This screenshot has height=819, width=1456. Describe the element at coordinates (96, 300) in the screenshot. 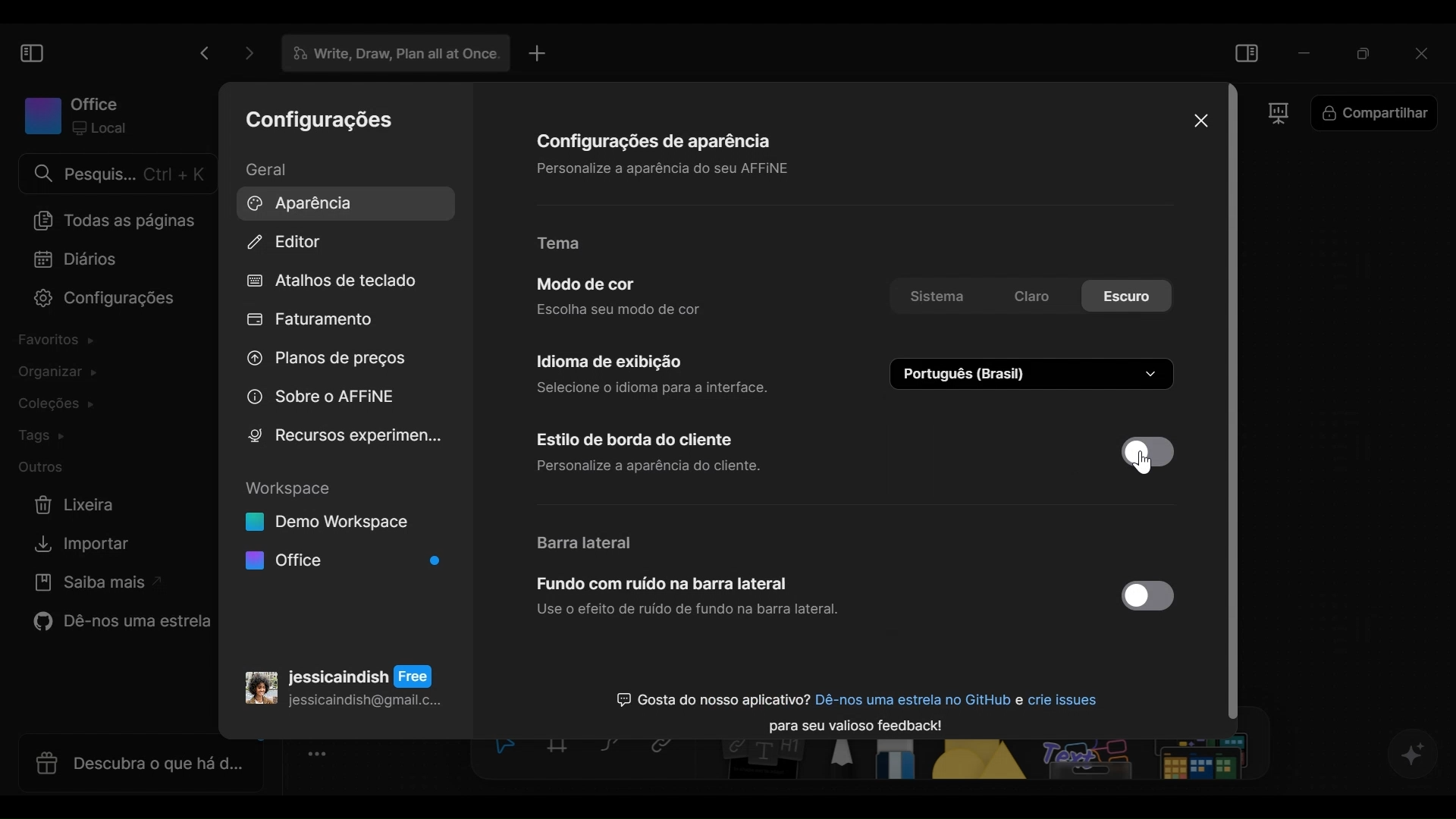

I see `Settings` at that location.